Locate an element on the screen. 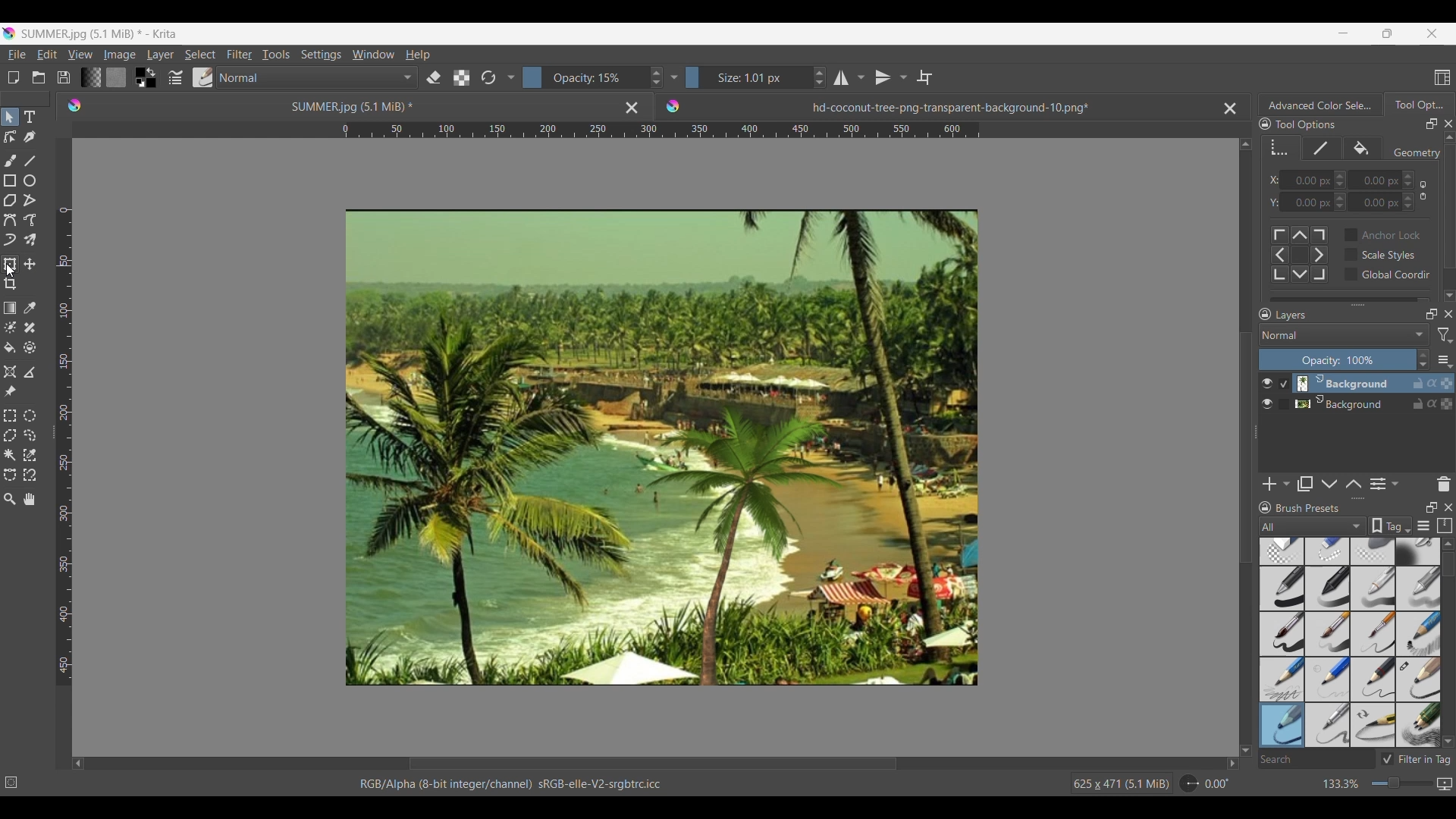 The image size is (1456, 819). Float layers panel is located at coordinates (1432, 314).